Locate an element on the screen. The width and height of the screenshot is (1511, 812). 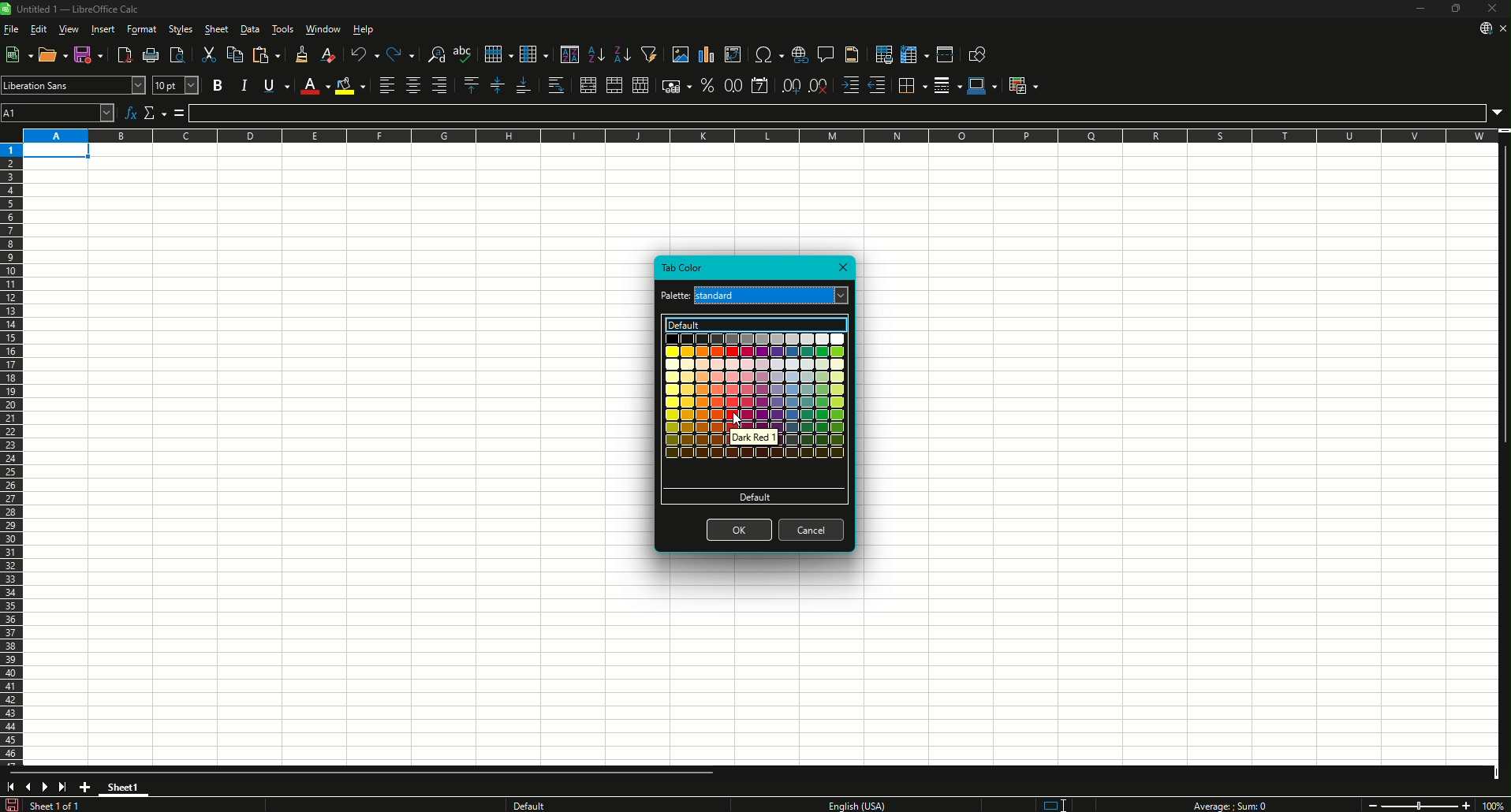
Insert Image is located at coordinates (680, 54).